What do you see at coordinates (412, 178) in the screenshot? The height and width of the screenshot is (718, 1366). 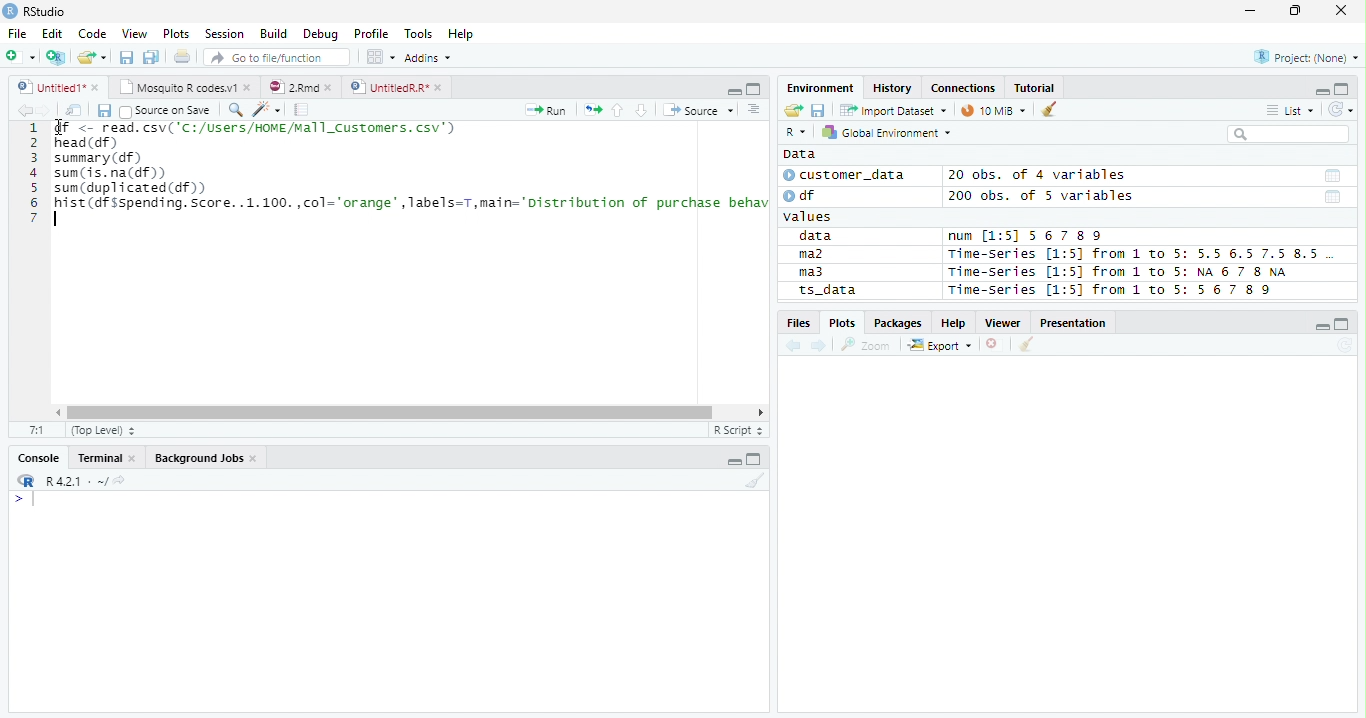 I see `SN <- read. csv( 'C1/USers/NINEMEl1_Custonrs. csv’)

head (df)

summary (df)

sum (is. na(df))

sum (duplicated (df)

hist (df sspending. Score. .1.100.,col="orange",Tabels=T,main="Distribution of purchase behav
|` at bounding box center [412, 178].